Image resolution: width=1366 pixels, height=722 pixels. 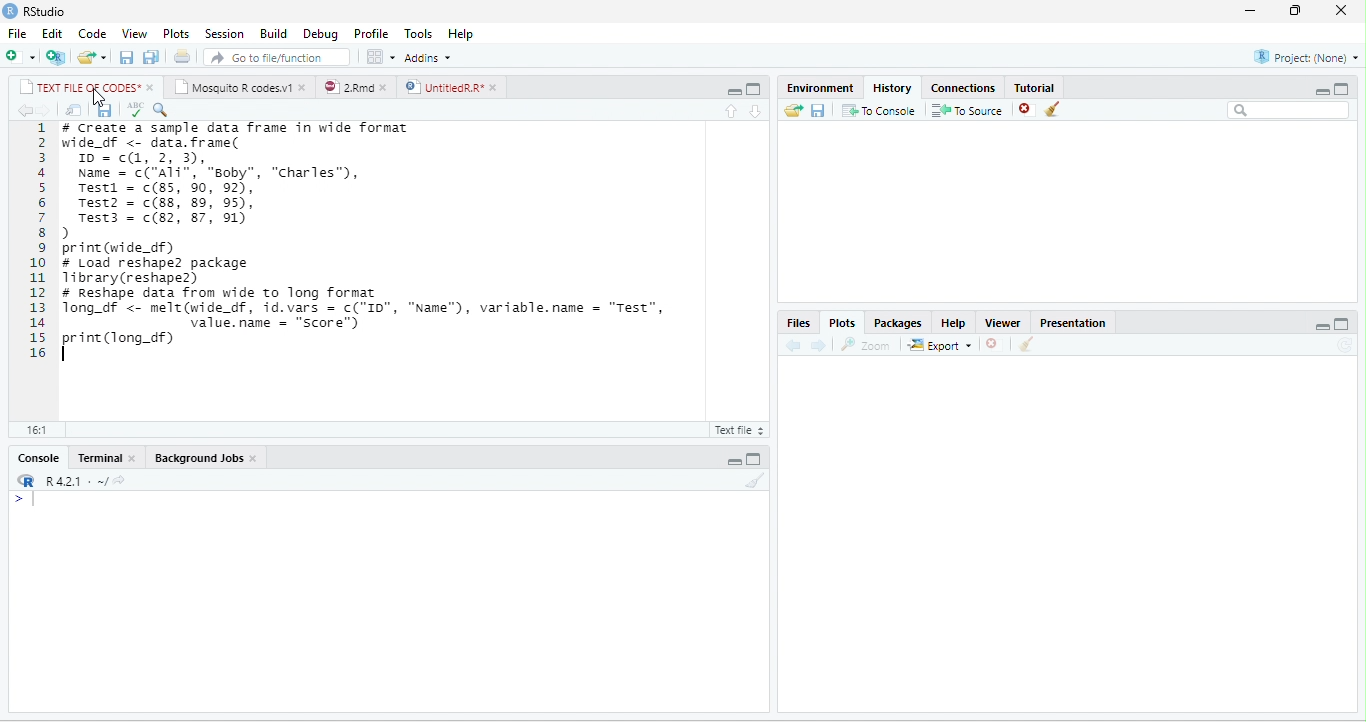 What do you see at coordinates (794, 346) in the screenshot?
I see `back` at bounding box center [794, 346].